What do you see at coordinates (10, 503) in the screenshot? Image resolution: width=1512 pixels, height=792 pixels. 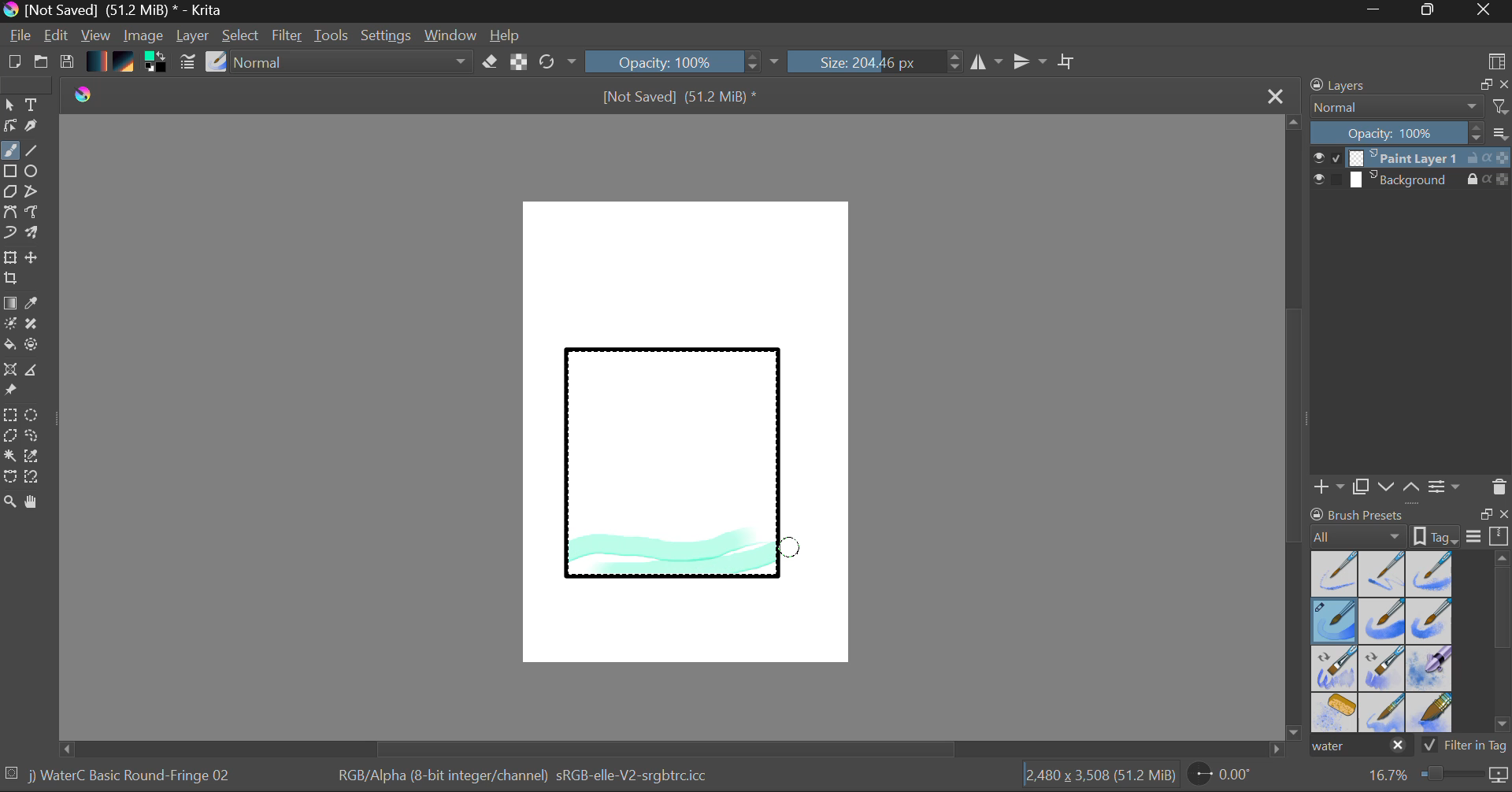 I see `Zoom` at bounding box center [10, 503].